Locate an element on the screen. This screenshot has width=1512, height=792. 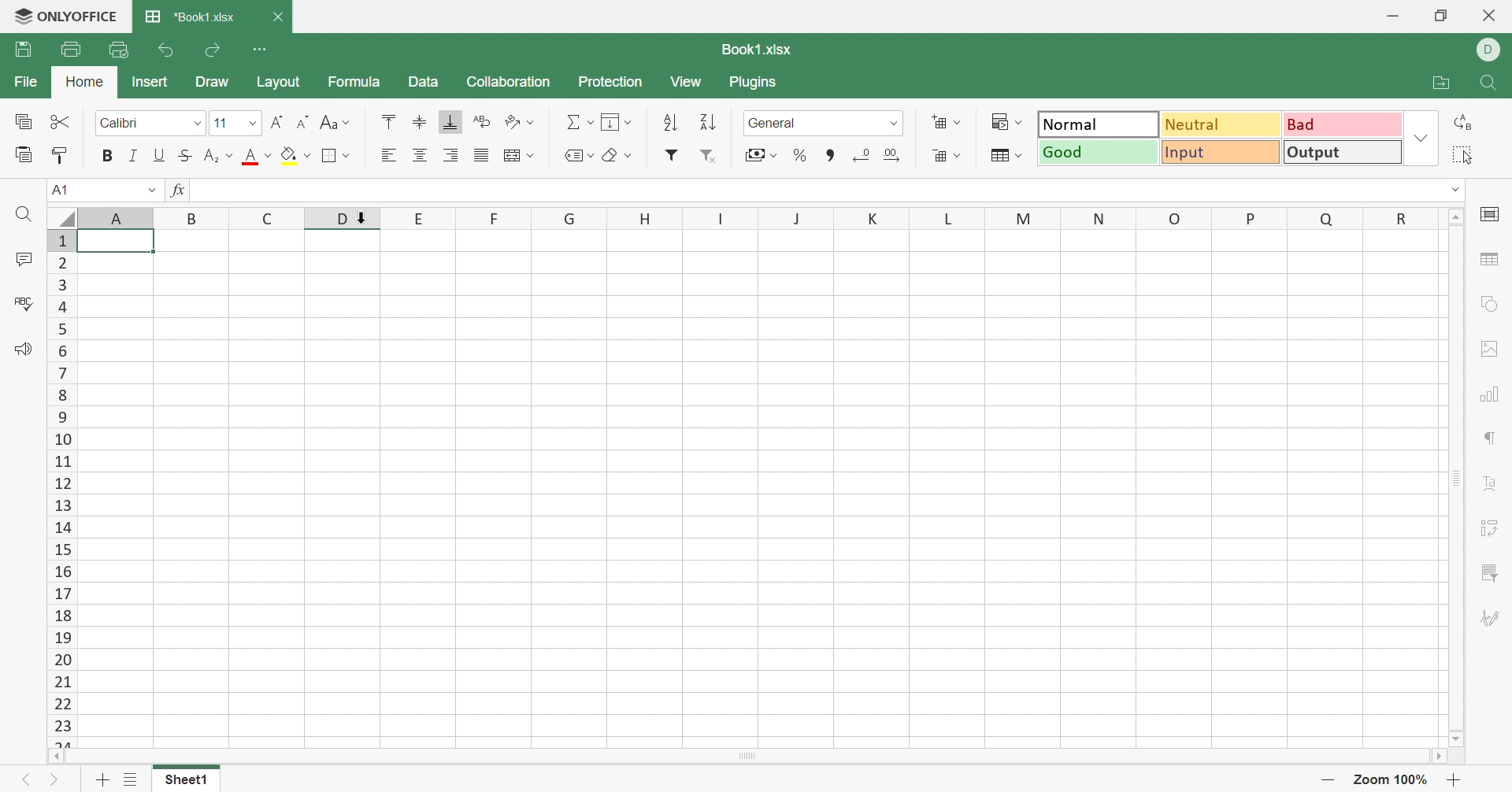
Output is located at coordinates (1343, 152).